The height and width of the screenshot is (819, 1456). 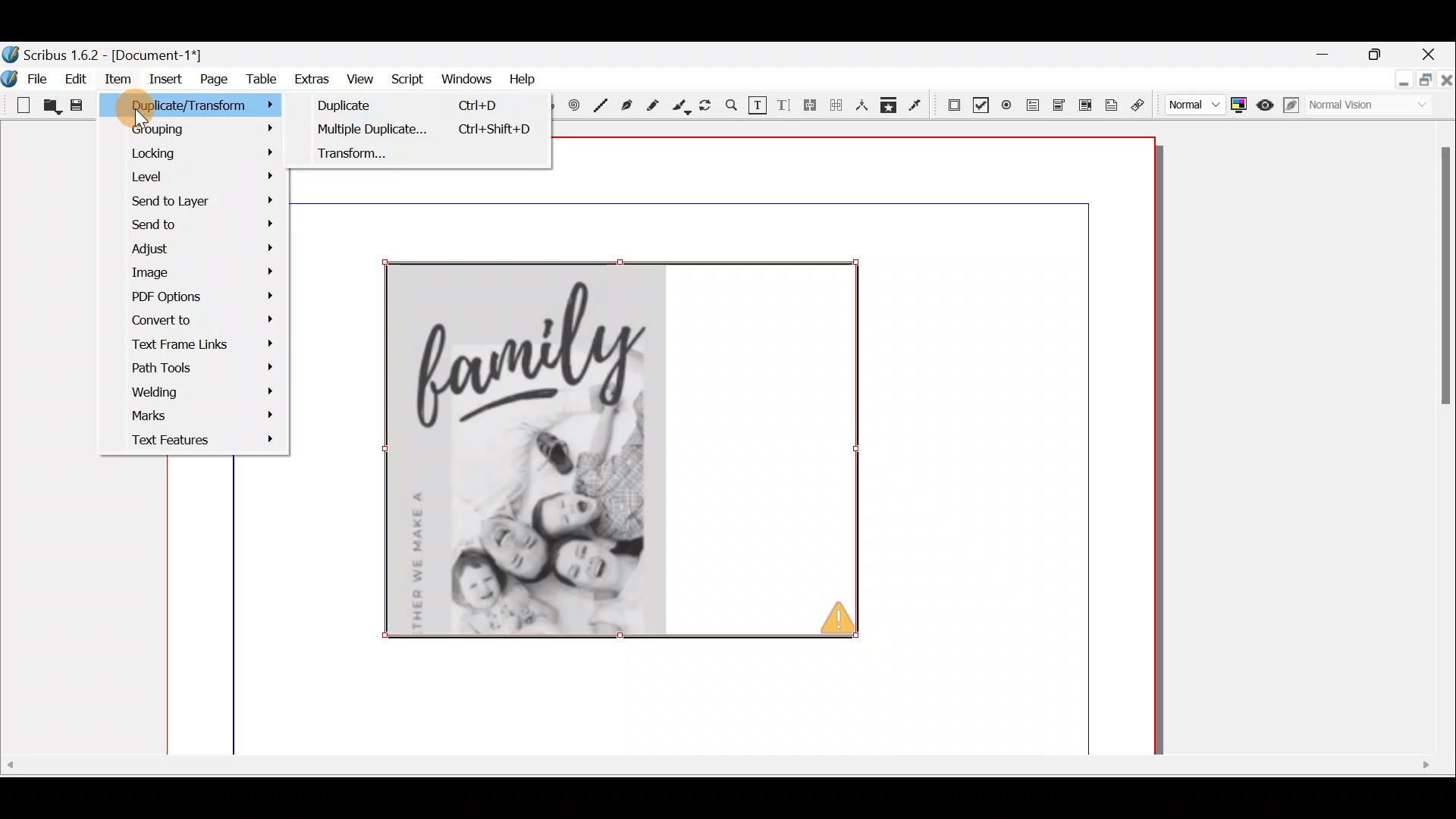 I want to click on PDF options, so click(x=202, y=297).